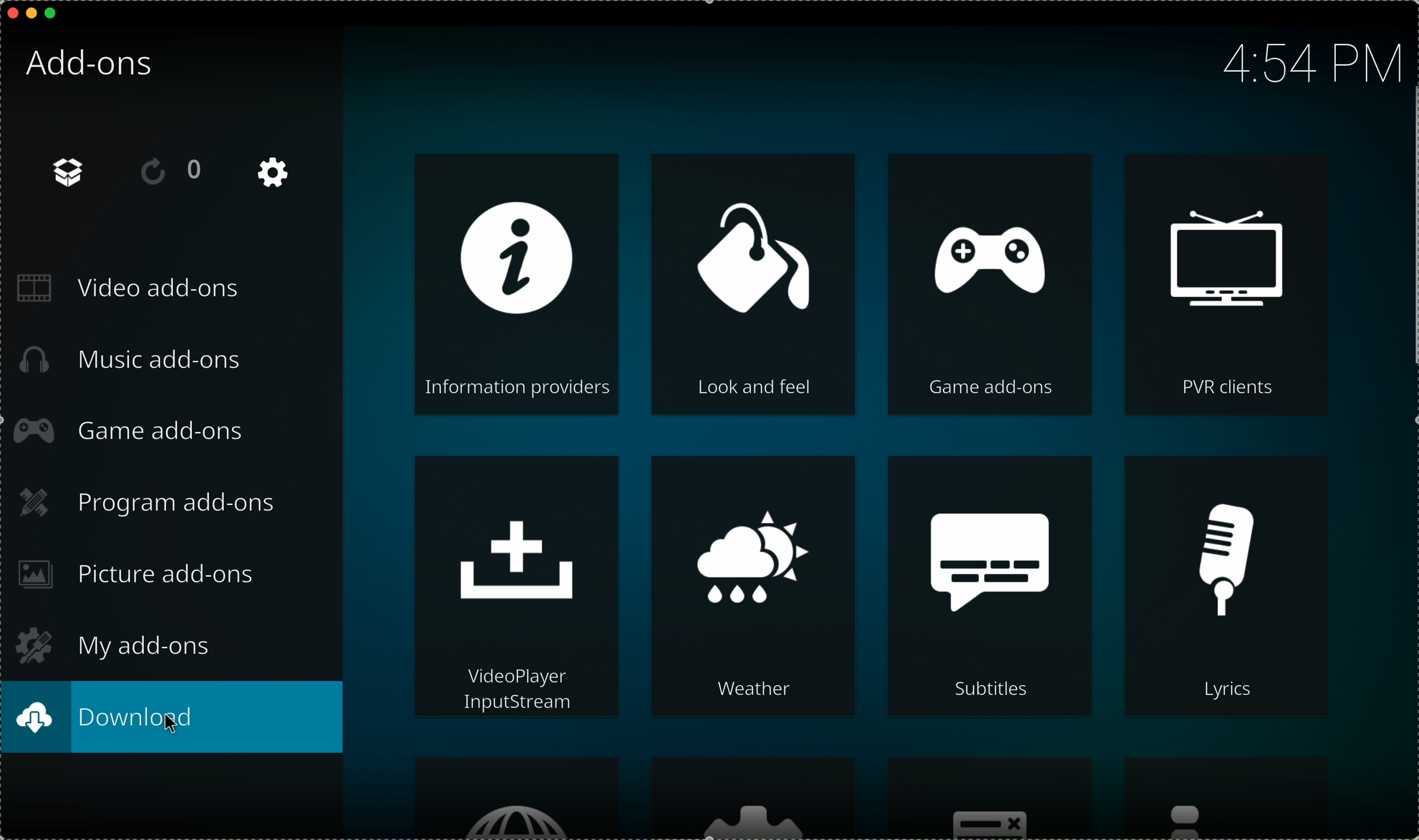 Image resolution: width=1419 pixels, height=840 pixels. I want to click on video add-ons, so click(135, 289).